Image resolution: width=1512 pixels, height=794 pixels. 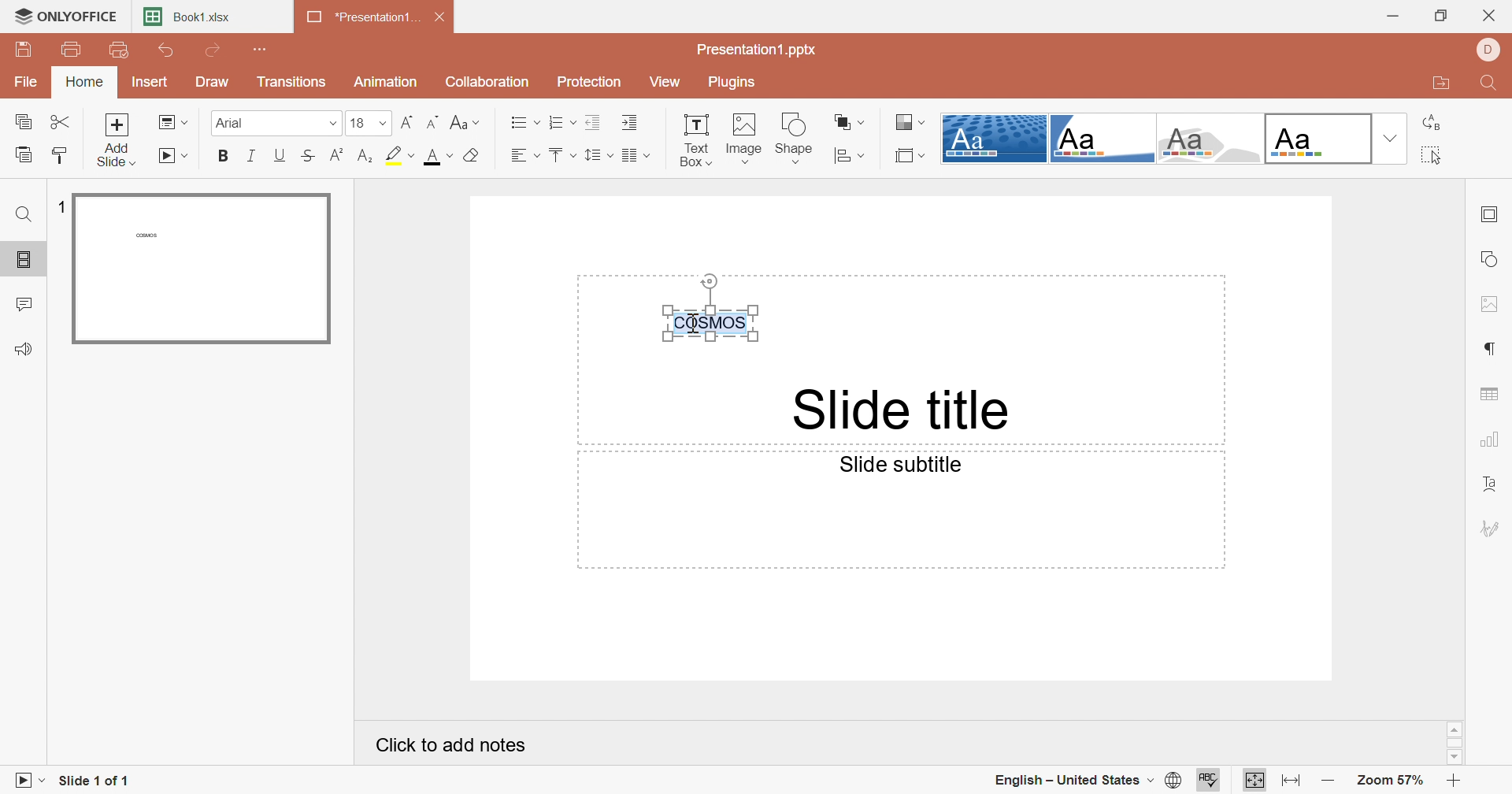 What do you see at coordinates (74, 48) in the screenshot?
I see `Print file` at bounding box center [74, 48].